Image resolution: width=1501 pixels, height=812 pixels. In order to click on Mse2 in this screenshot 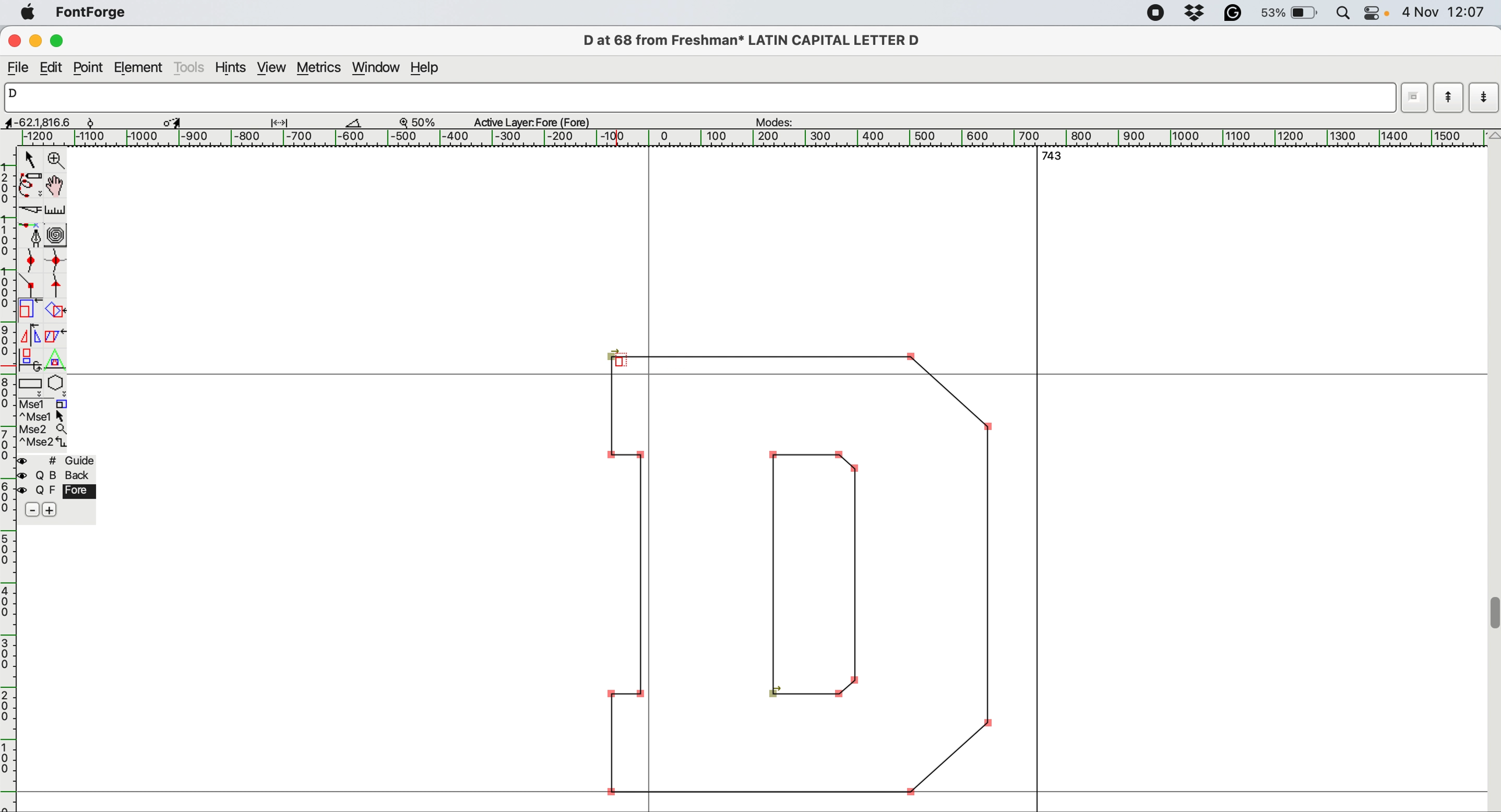, I will do `click(46, 429)`.